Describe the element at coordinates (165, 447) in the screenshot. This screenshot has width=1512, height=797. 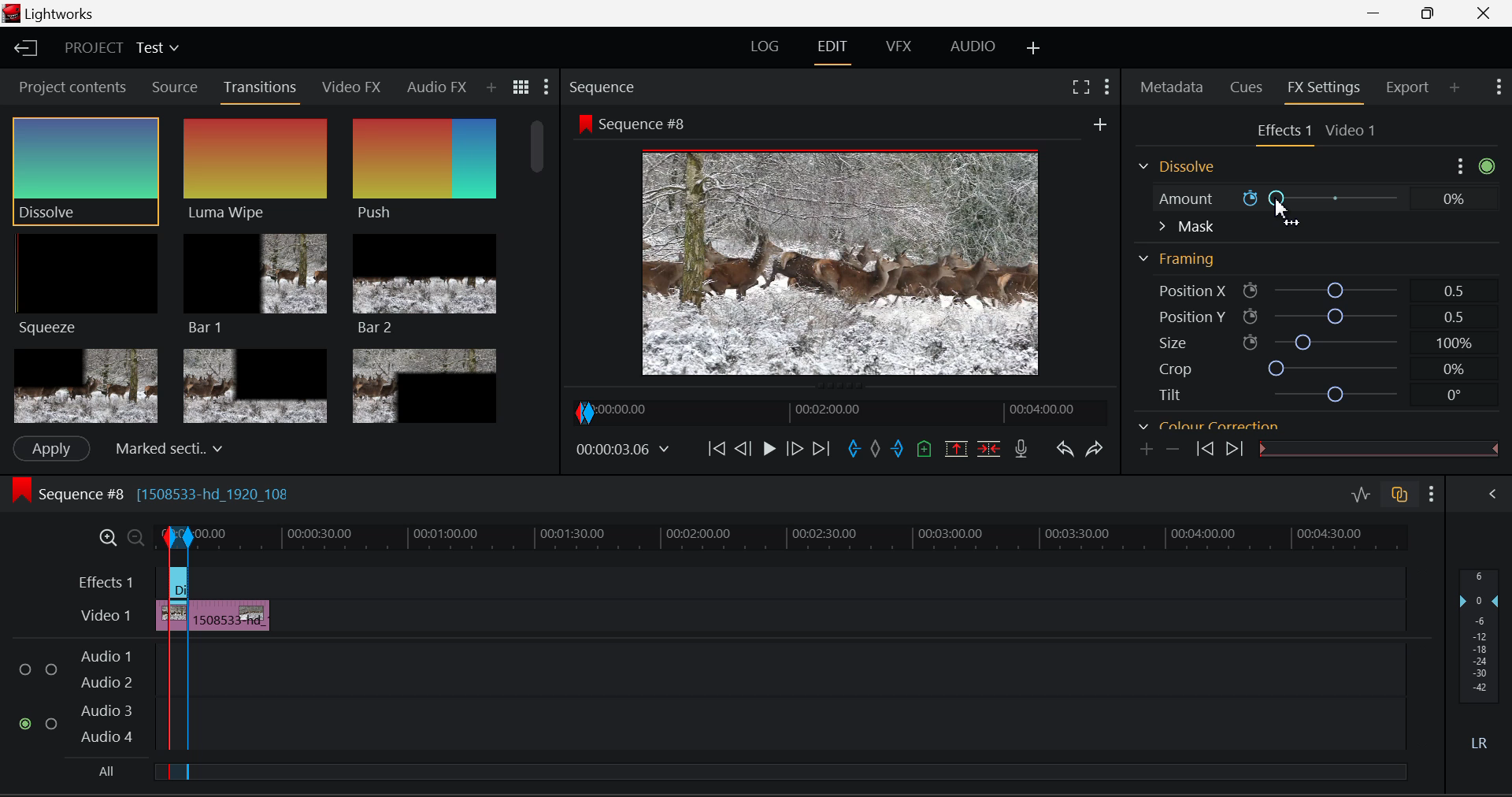
I see `Centered here` at that location.